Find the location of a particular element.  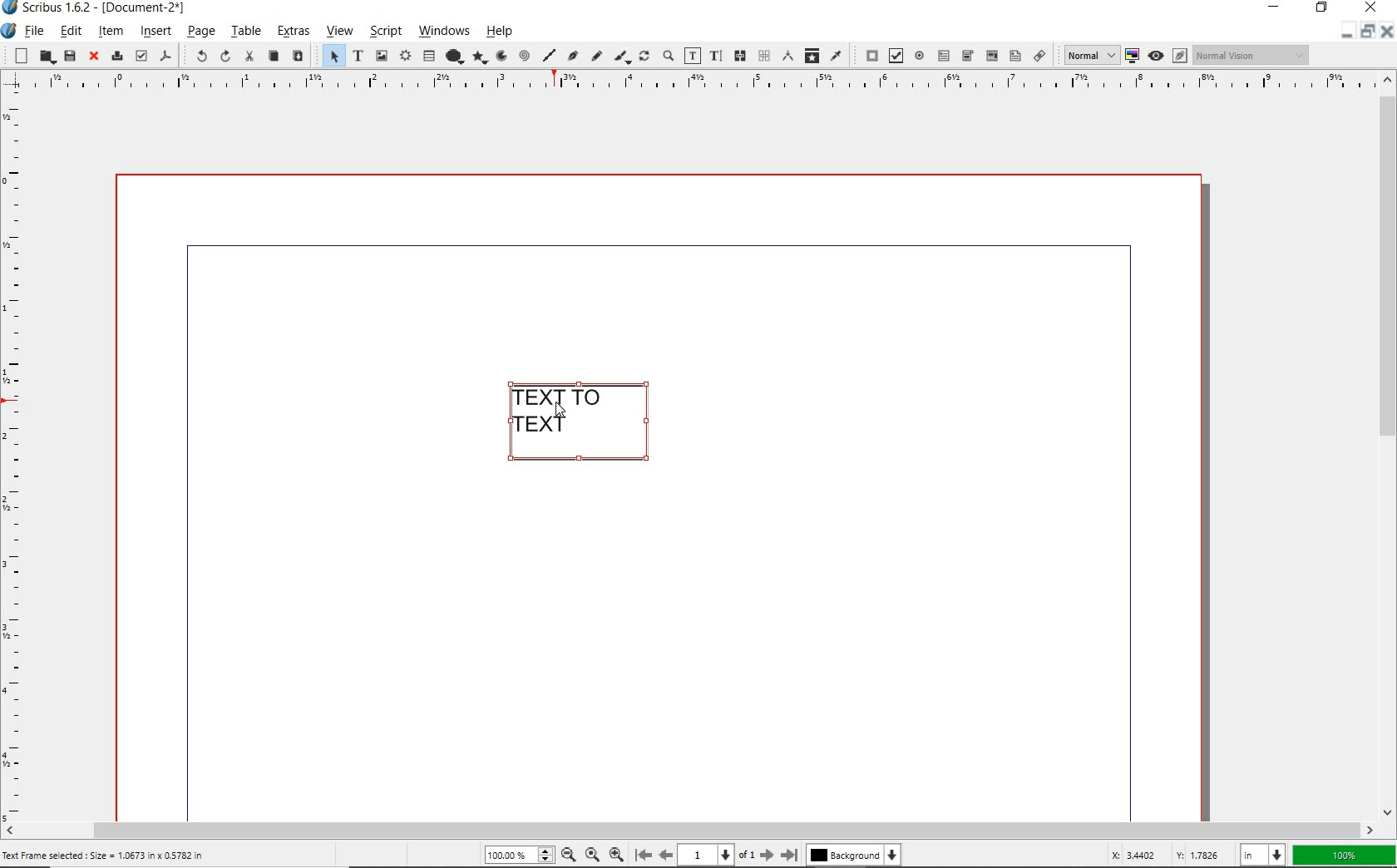

system icon is located at coordinates (10, 32).